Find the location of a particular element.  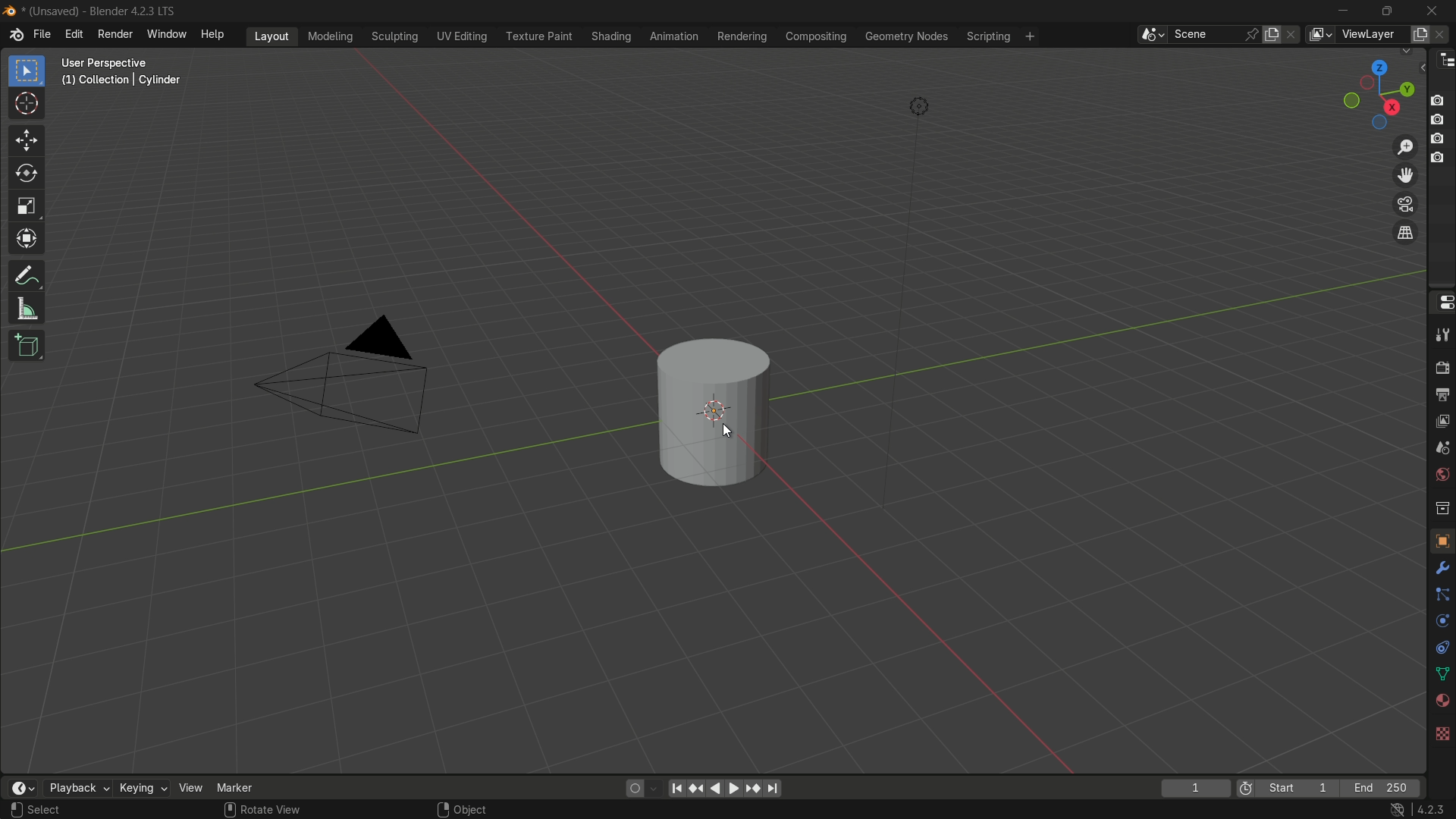

auto keyframing is located at coordinates (654, 788).